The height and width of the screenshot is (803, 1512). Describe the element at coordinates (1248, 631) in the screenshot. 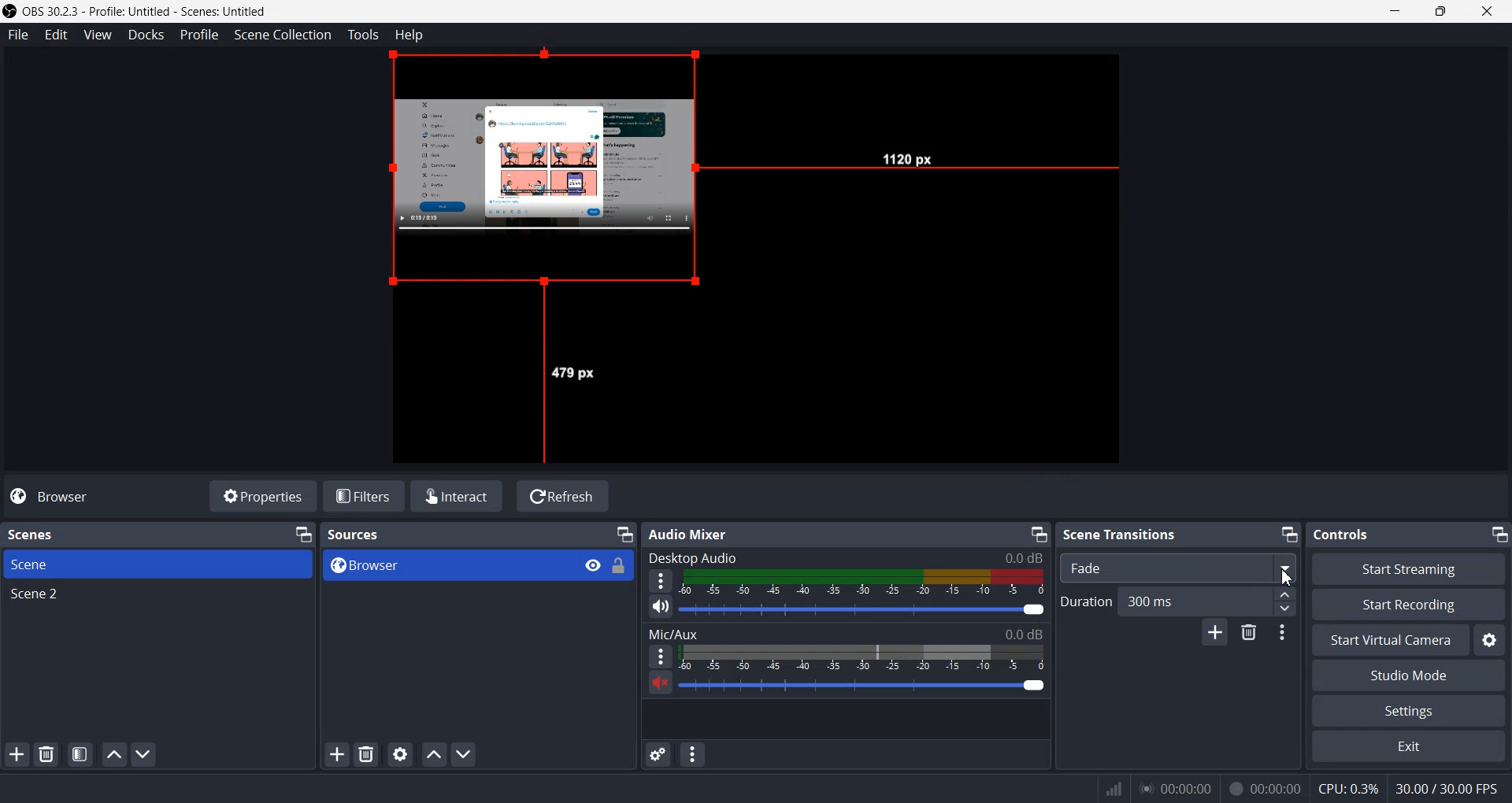

I see `Remove configurable transition` at that location.